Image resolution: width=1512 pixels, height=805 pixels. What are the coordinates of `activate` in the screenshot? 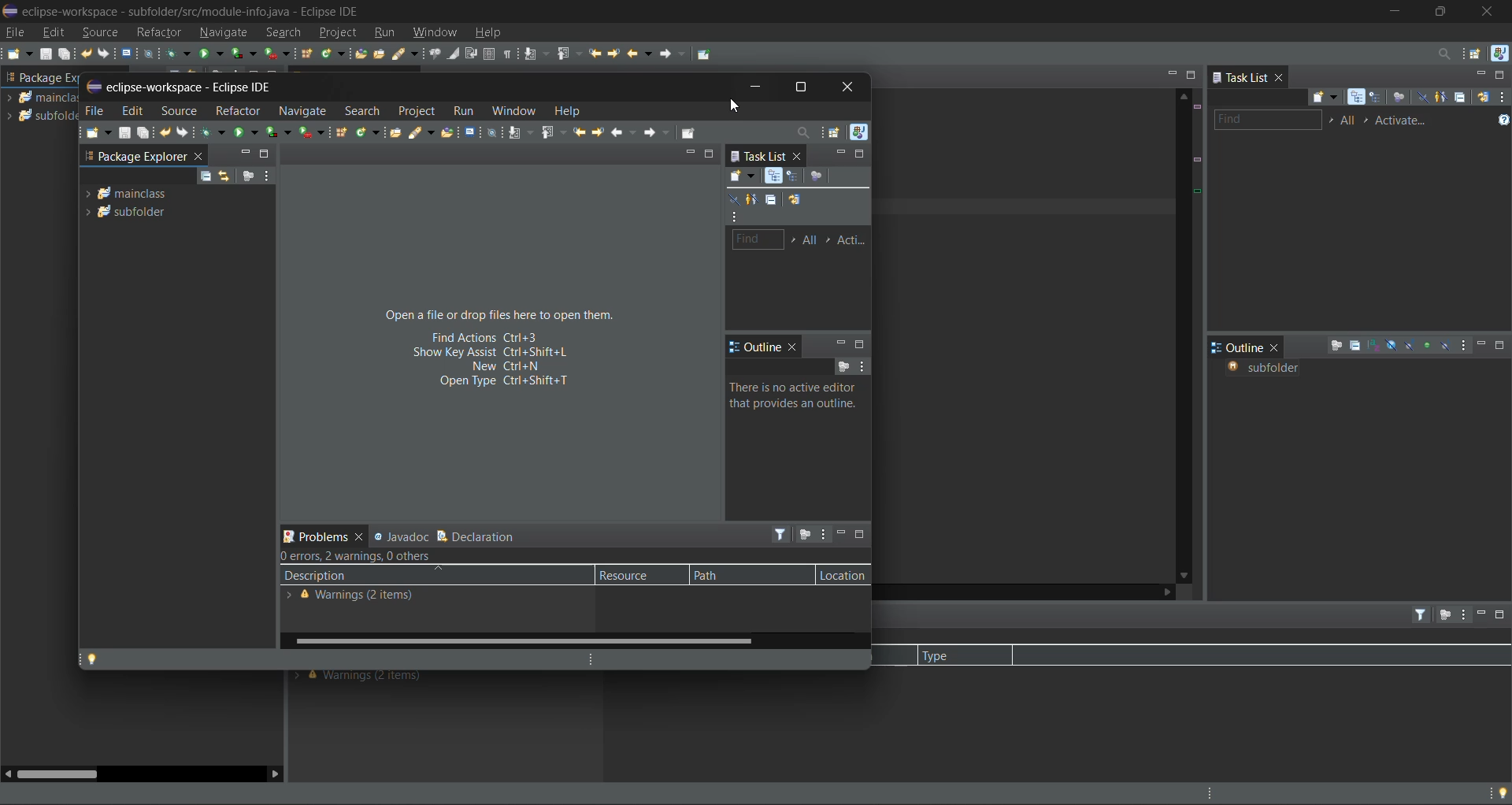 It's located at (1411, 121).